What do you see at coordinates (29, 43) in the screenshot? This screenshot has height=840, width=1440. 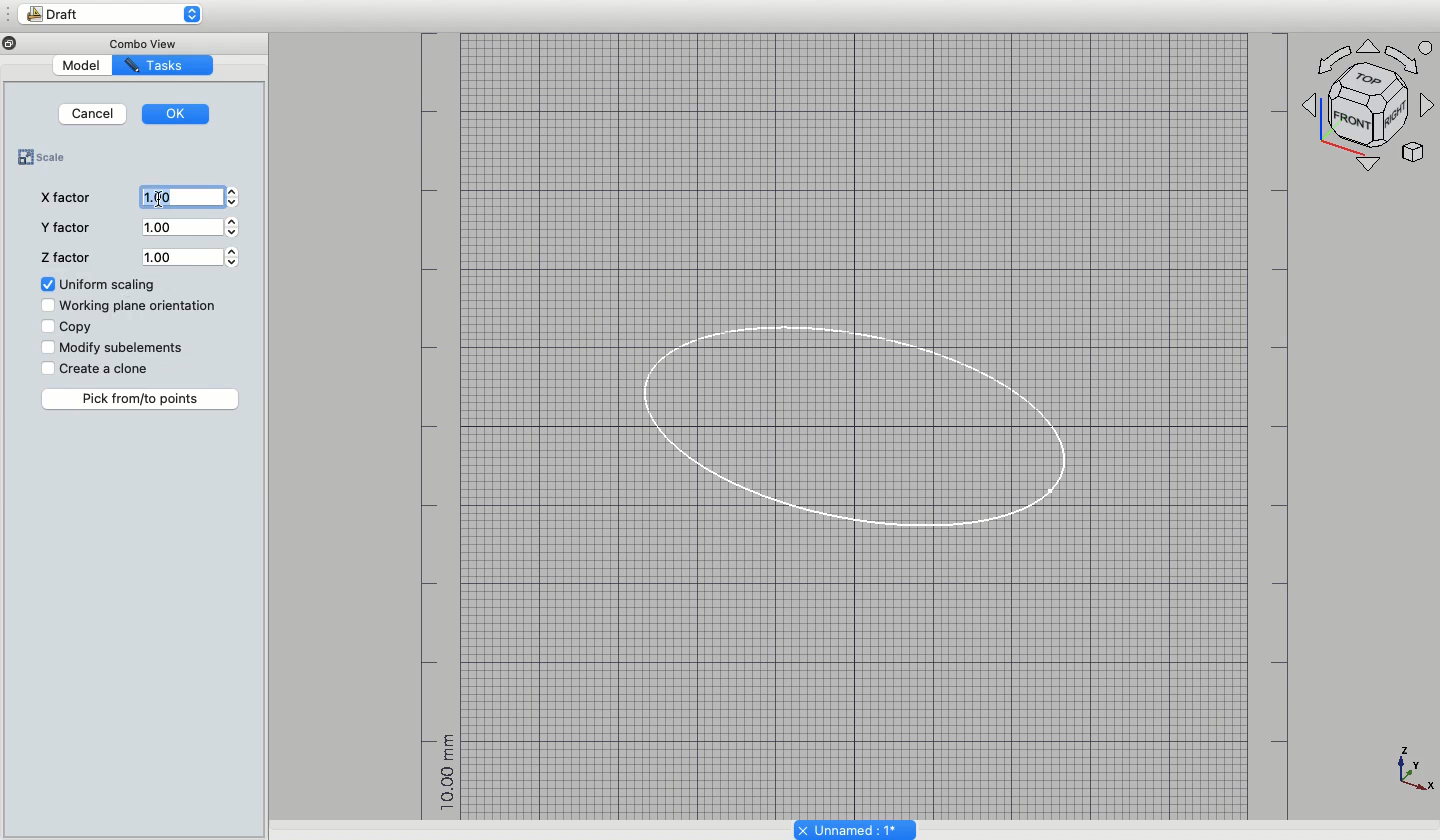 I see `Minimize` at bounding box center [29, 43].